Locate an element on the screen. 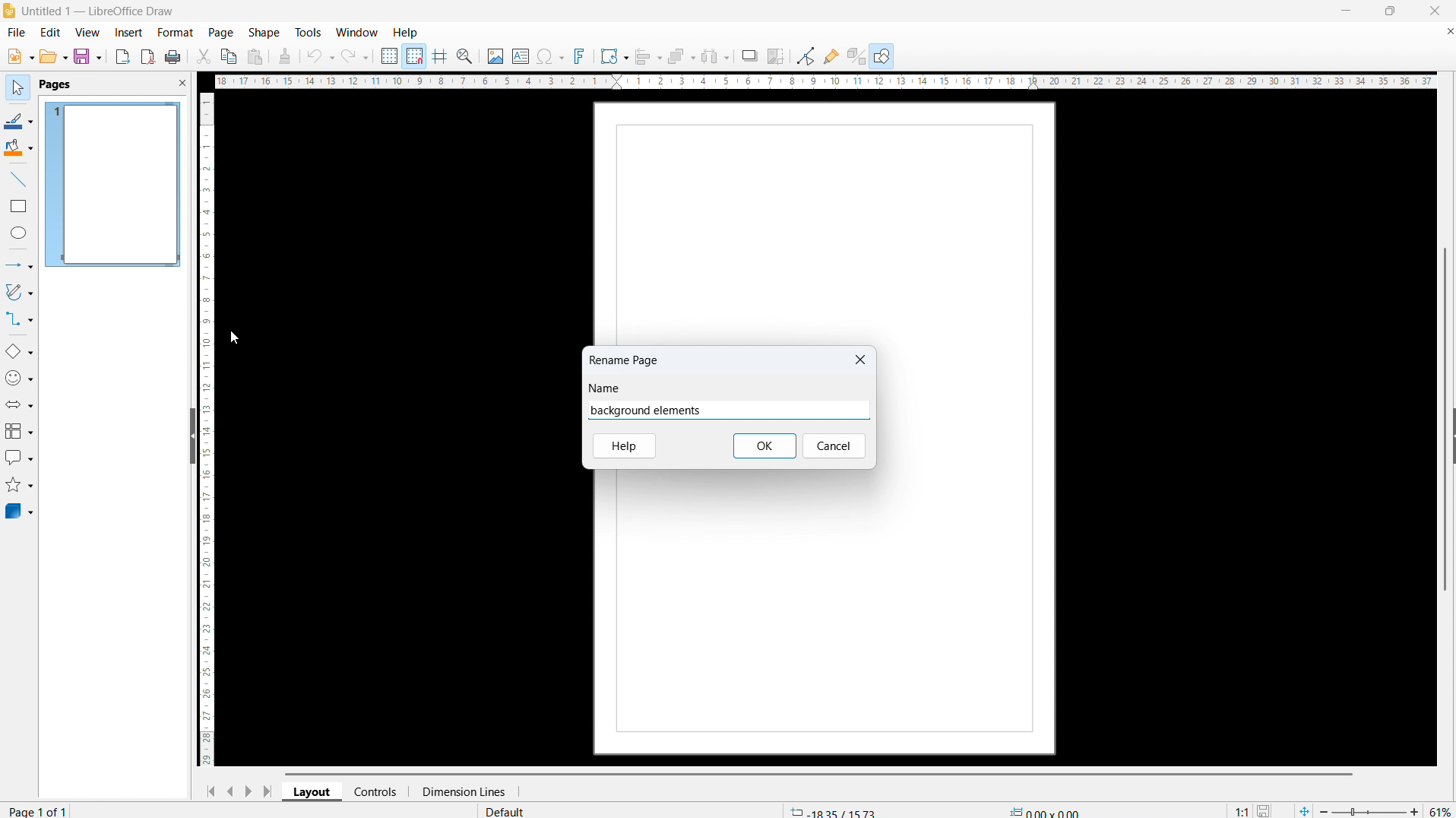  toggle extrusion is located at coordinates (856, 55).